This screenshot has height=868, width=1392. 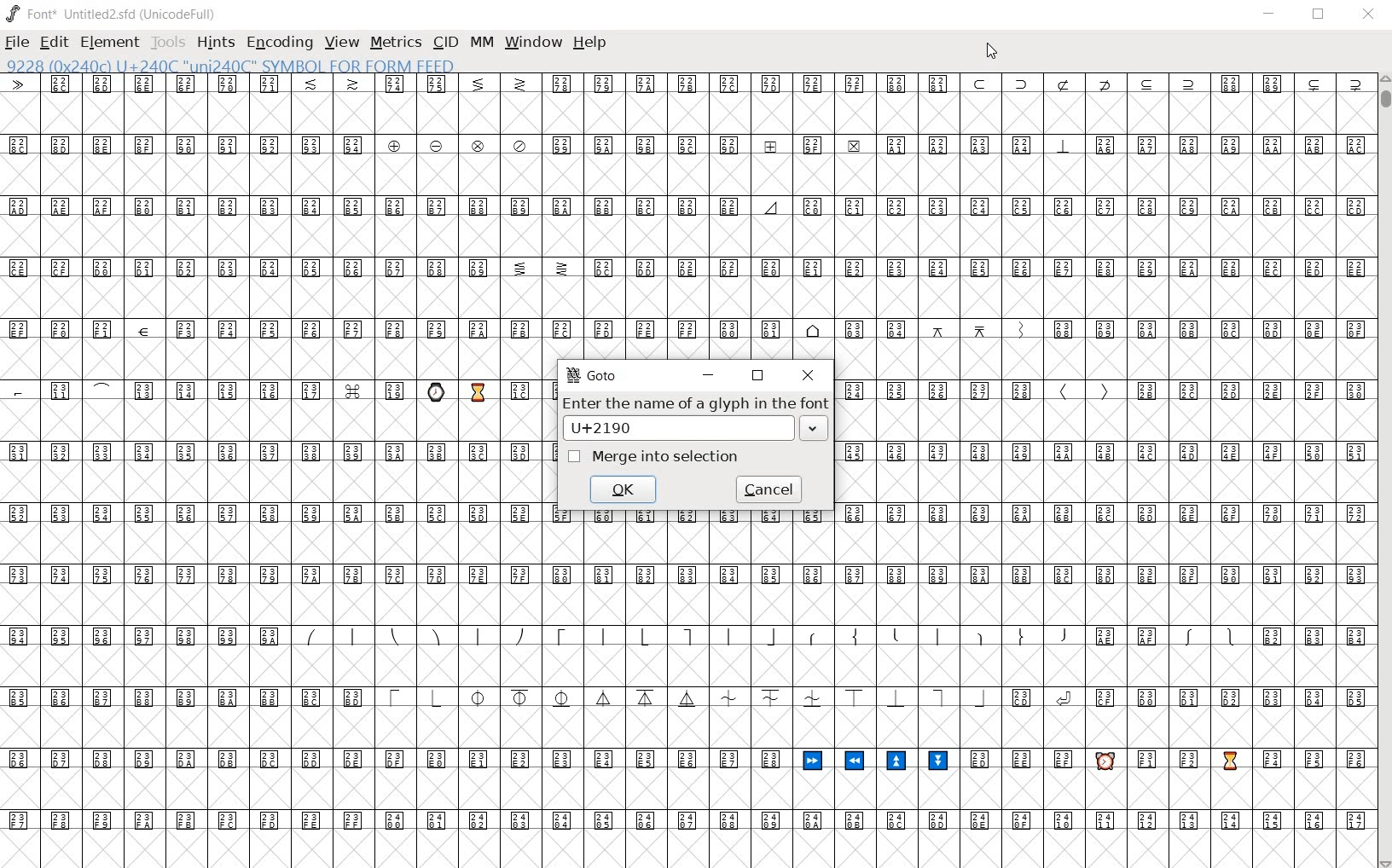 What do you see at coordinates (1320, 14) in the screenshot?
I see `restore` at bounding box center [1320, 14].